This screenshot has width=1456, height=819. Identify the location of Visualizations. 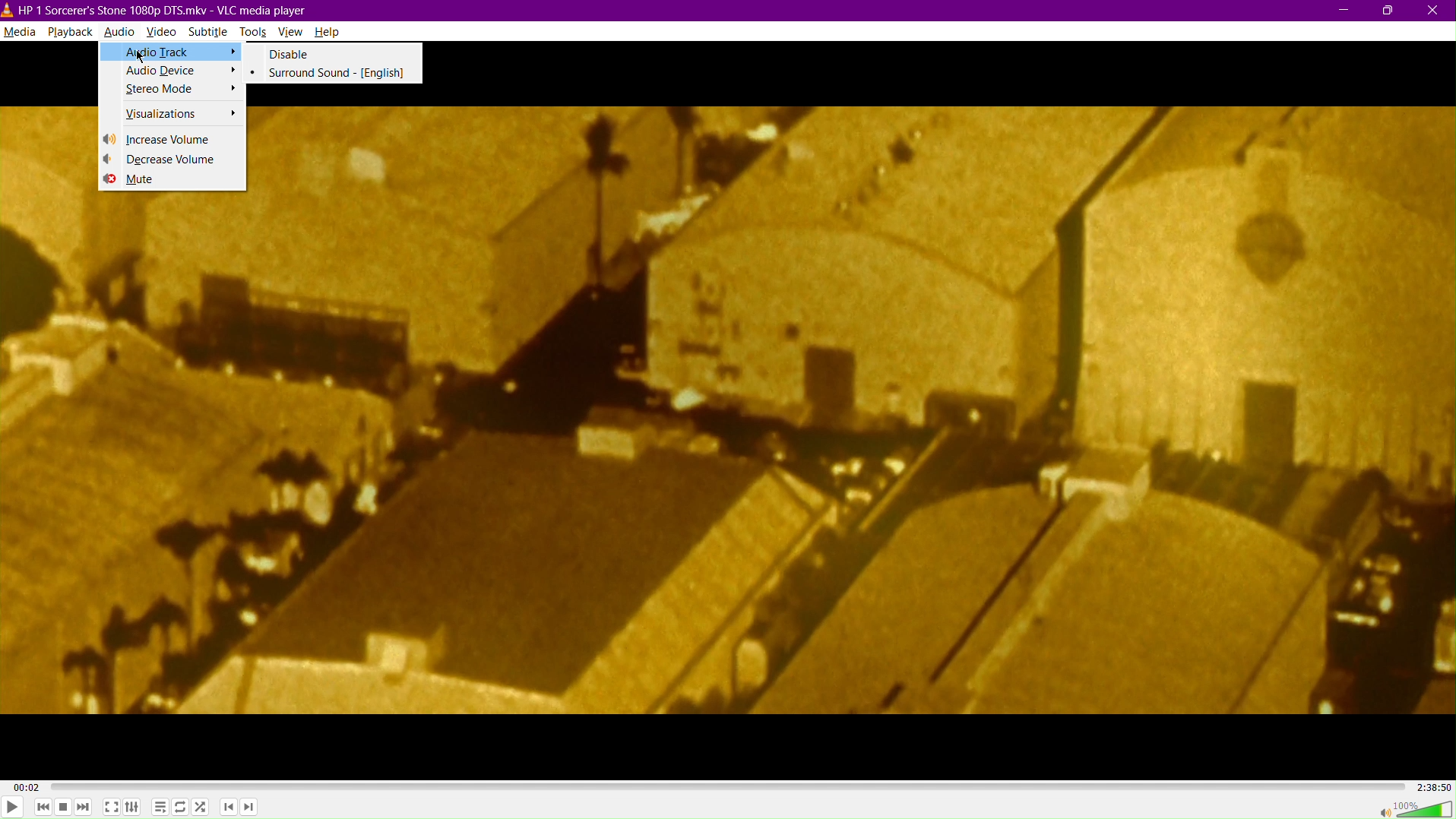
(172, 115).